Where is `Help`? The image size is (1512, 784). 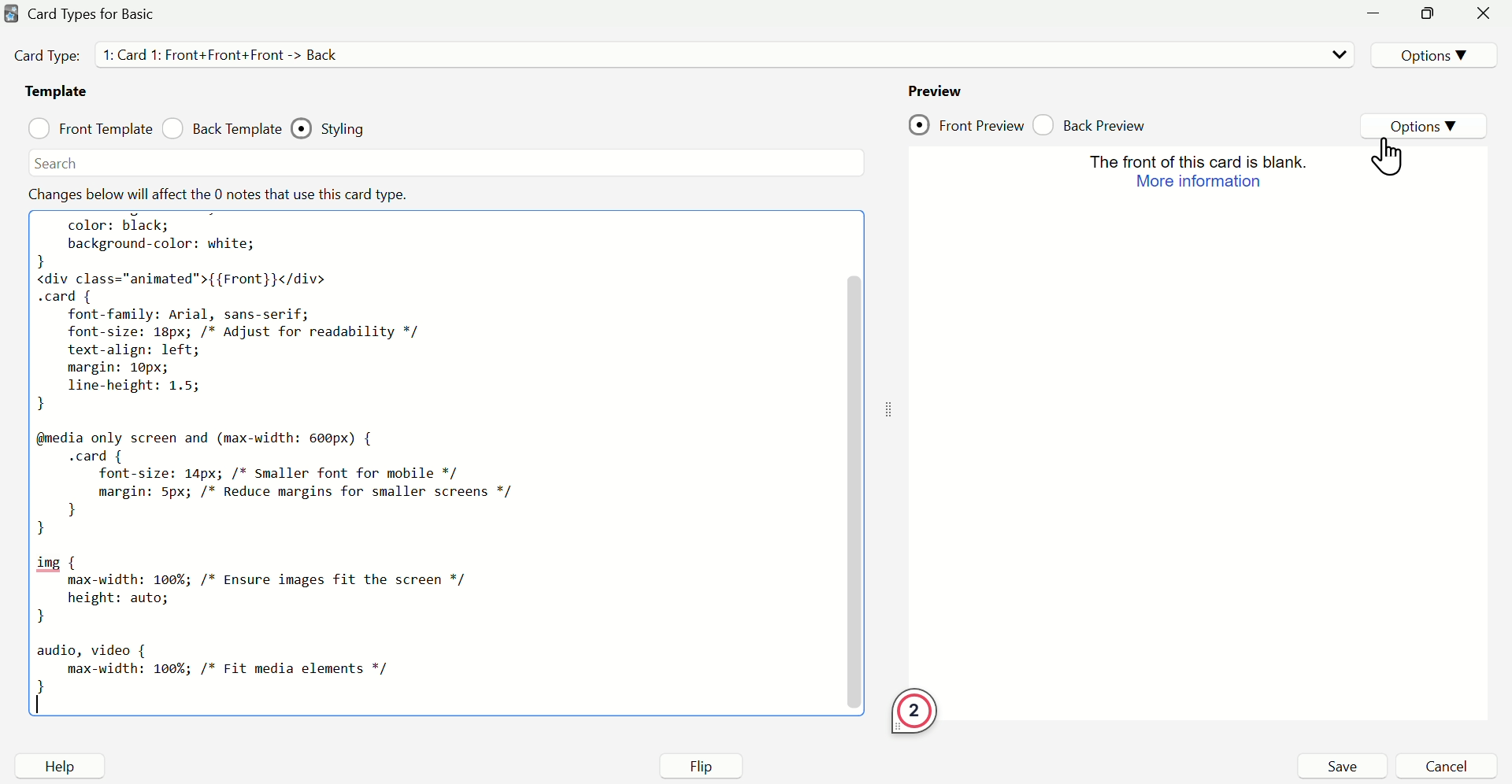
Help is located at coordinates (57, 767).